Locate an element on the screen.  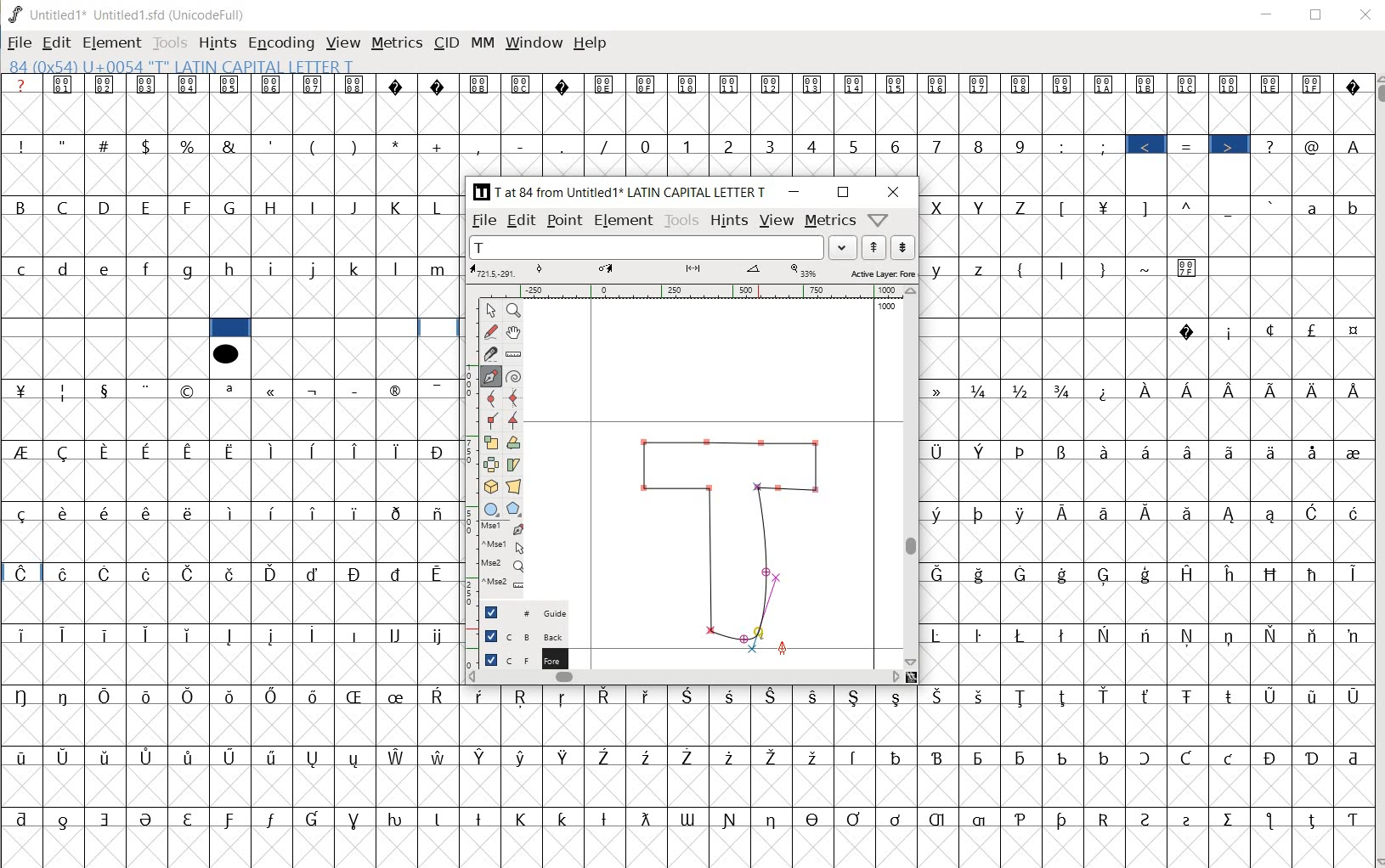
Symbol is located at coordinates (898, 819).